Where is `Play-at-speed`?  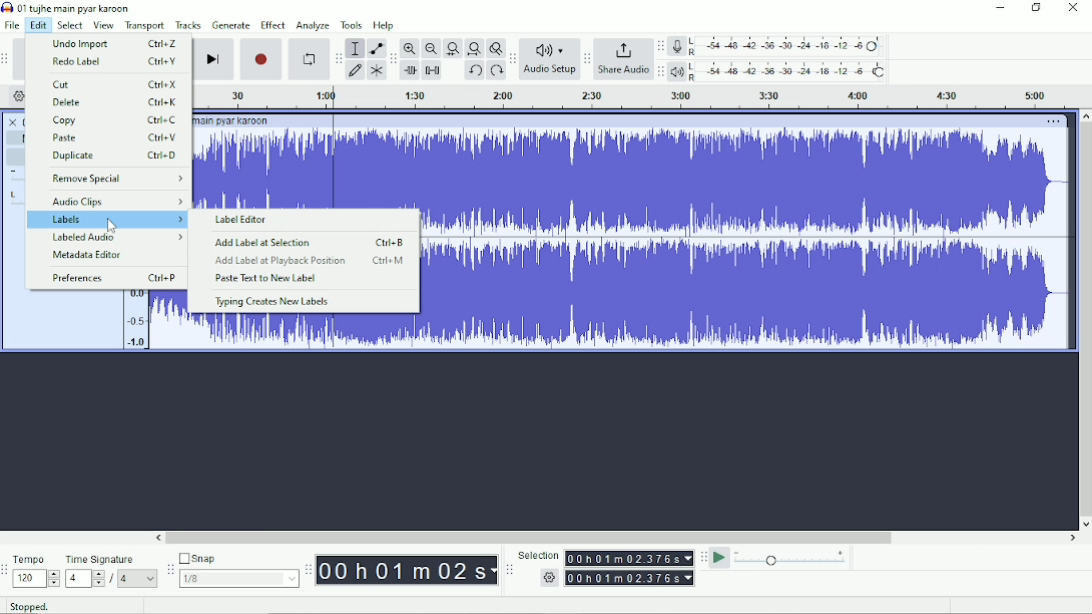 Play-at-speed is located at coordinates (719, 558).